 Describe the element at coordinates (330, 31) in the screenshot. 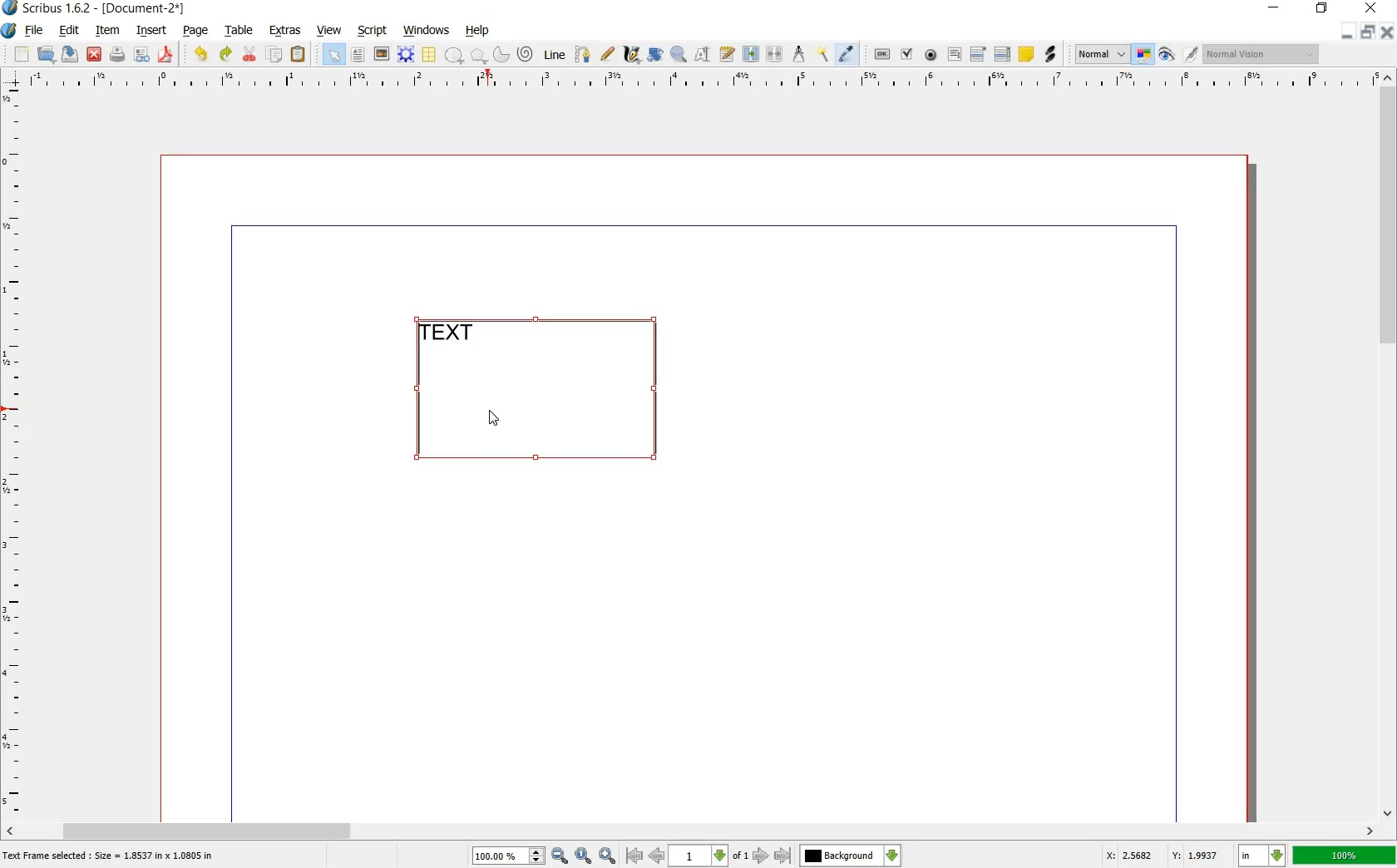

I see `view` at that location.